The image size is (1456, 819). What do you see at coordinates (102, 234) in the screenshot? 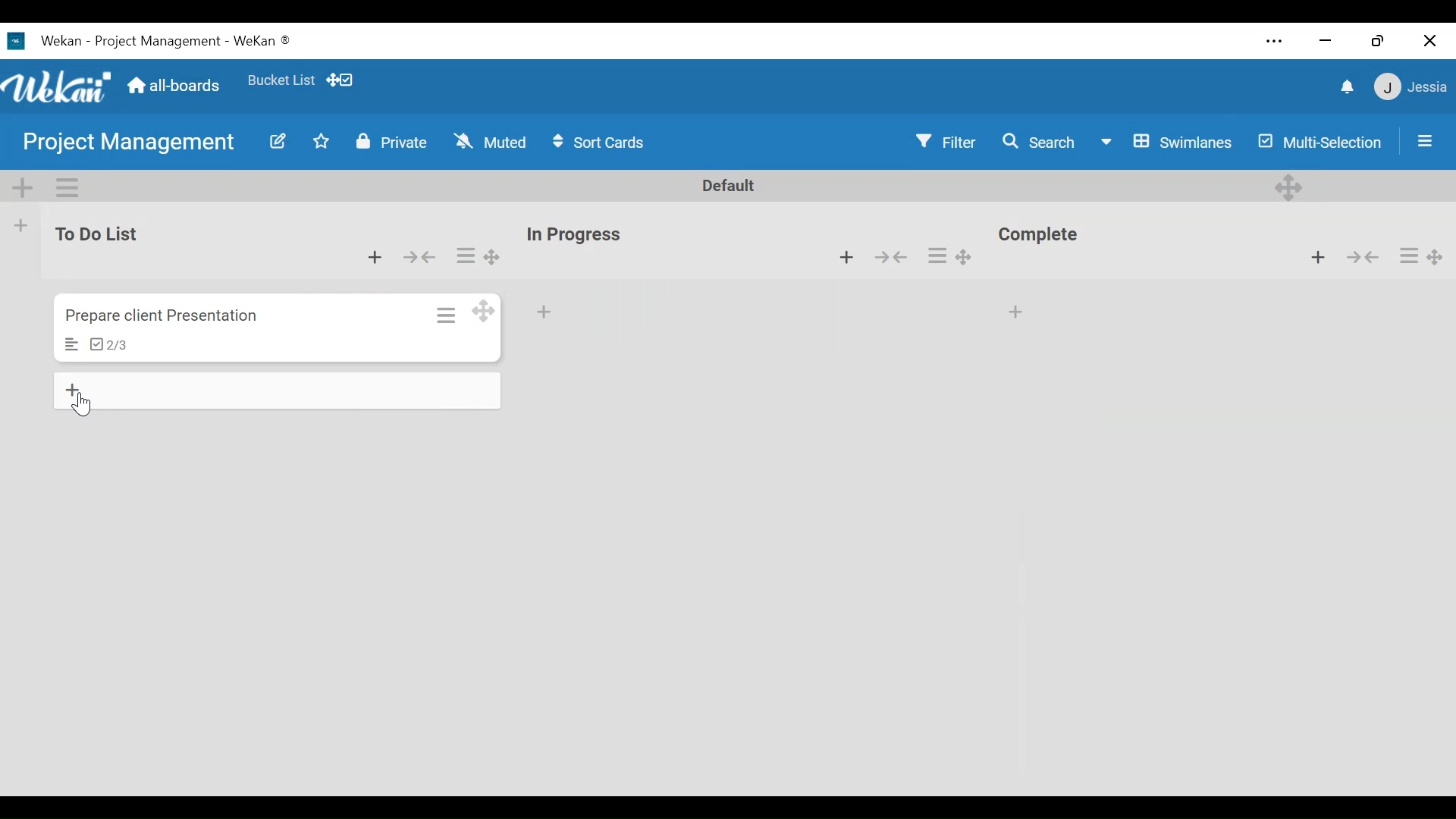
I see `to do list` at bounding box center [102, 234].